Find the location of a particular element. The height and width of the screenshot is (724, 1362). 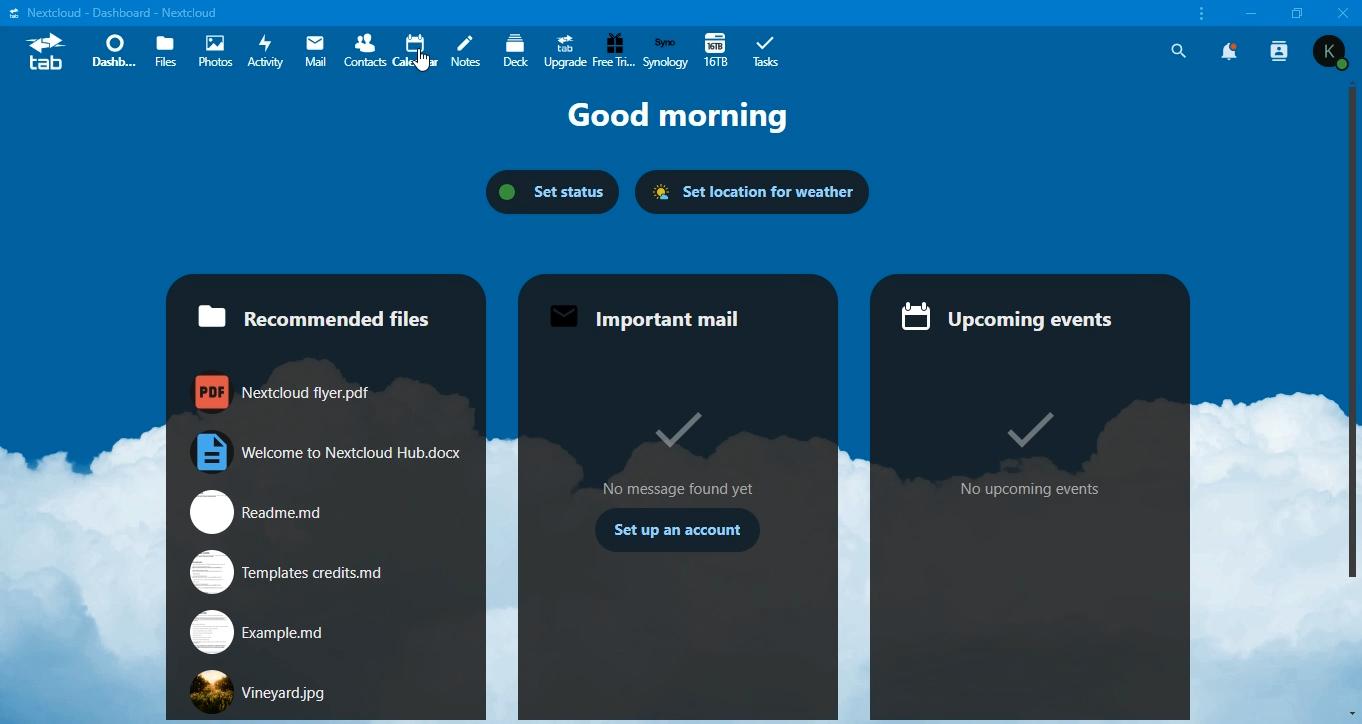

No upcoming events is located at coordinates (1032, 490).